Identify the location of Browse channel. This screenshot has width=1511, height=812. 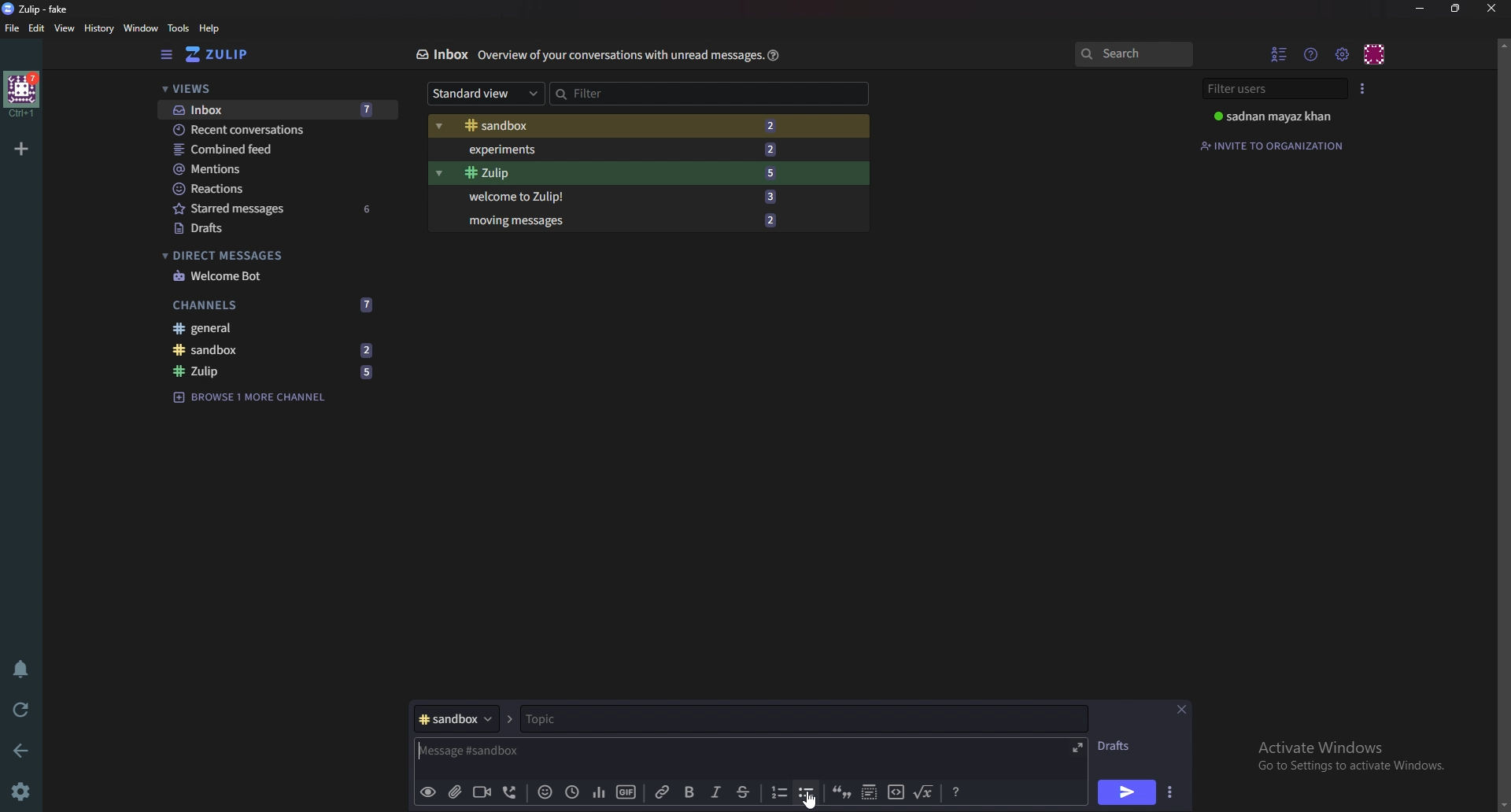
(250, 396).